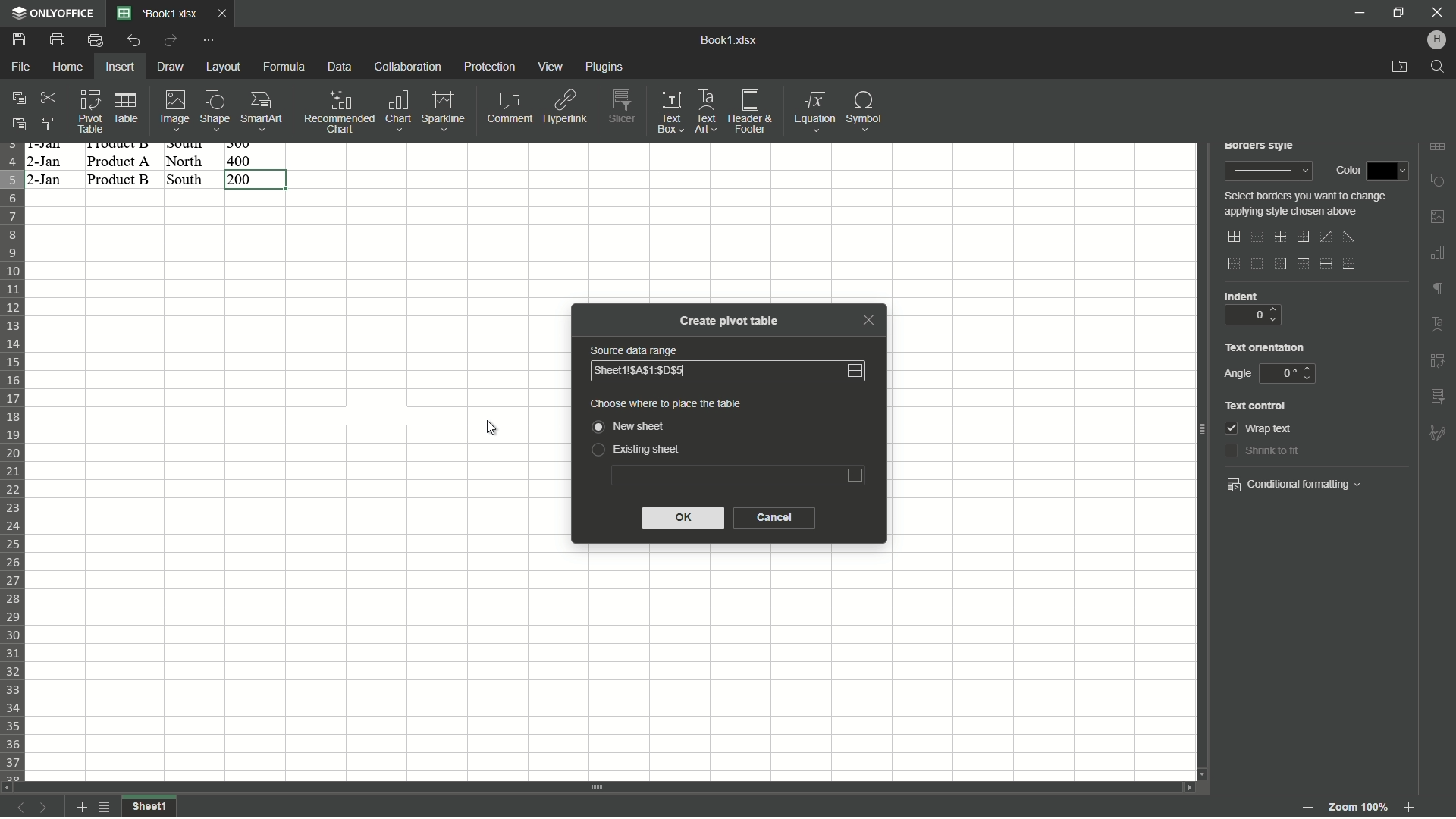 The image size is (1456, 819). I want to click on dropdown, so click(1359, 485).